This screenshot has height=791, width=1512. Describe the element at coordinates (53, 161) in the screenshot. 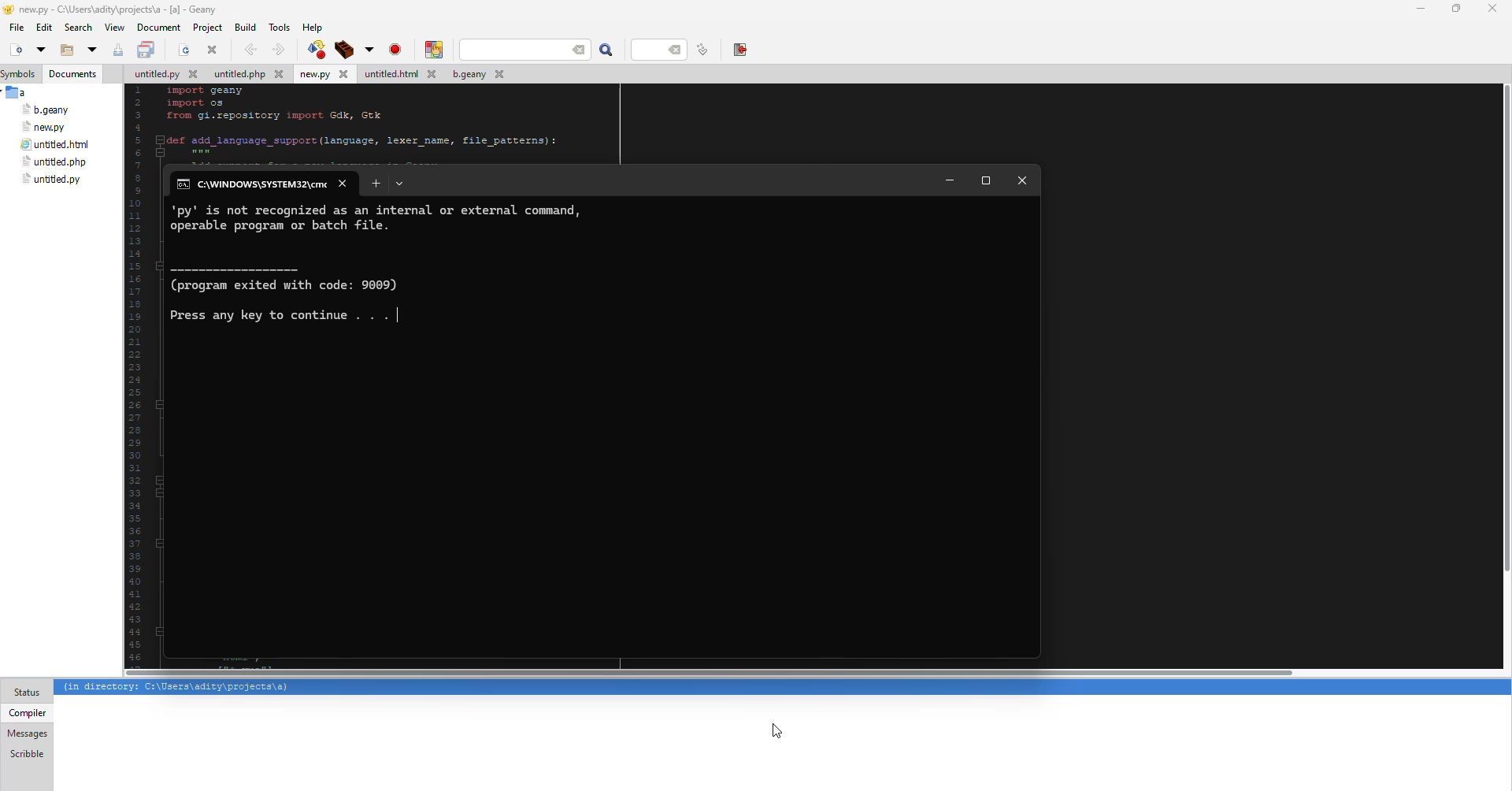

I see `file` at that location.